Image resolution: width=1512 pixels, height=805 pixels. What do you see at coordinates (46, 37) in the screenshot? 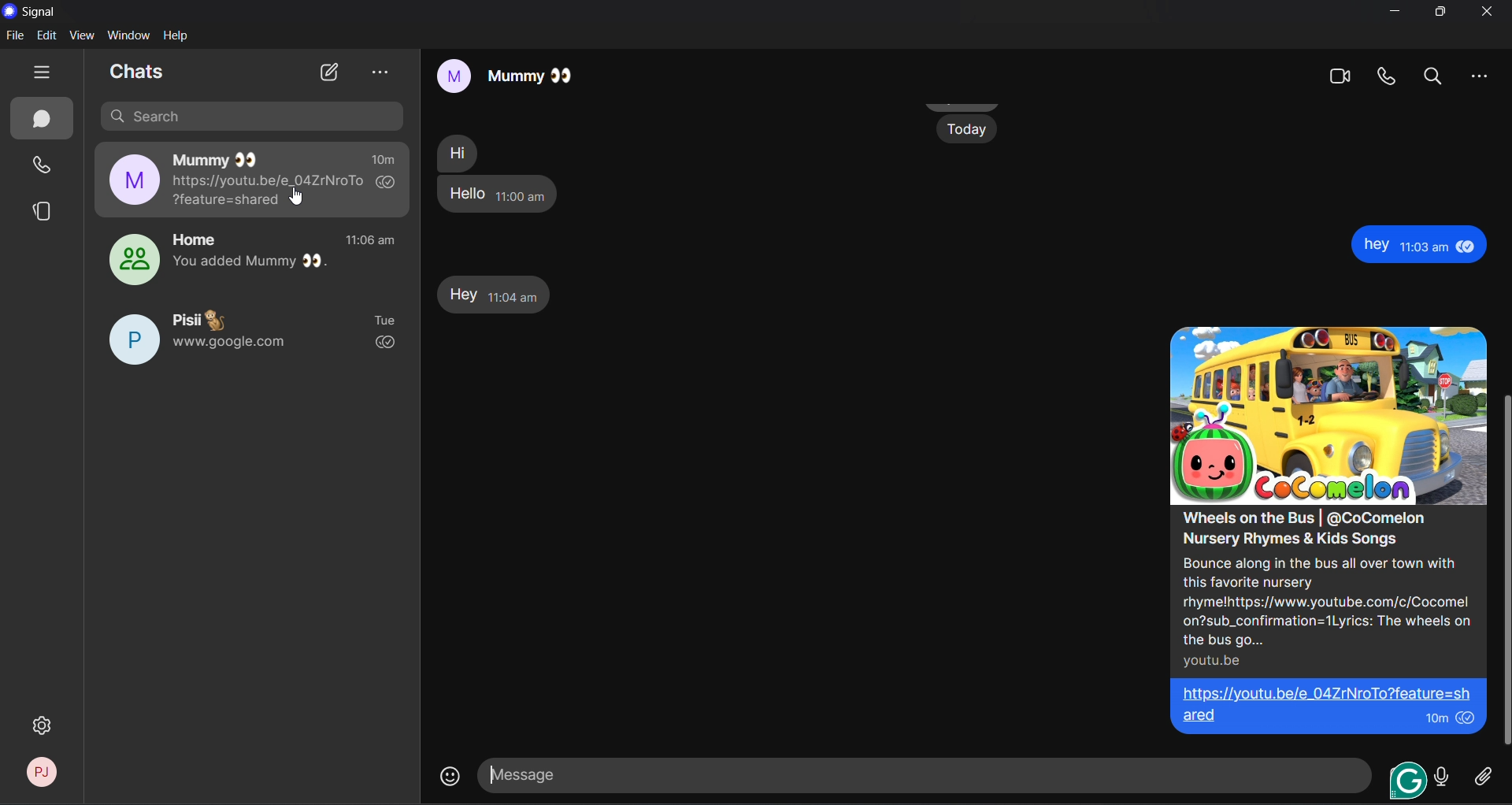
I see `edit` at bounding box center [46, 37].